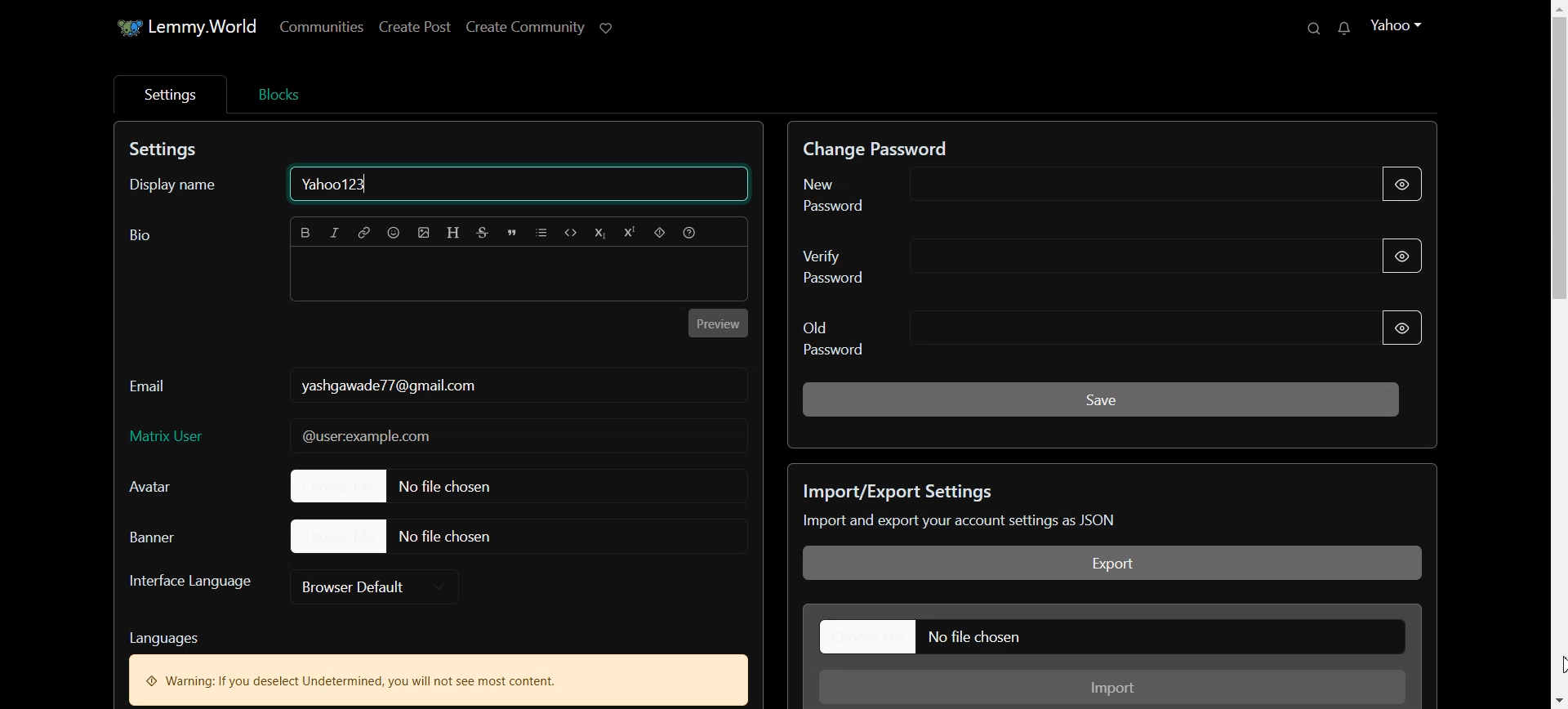 The width and height of the screenshot is (1568, 709). What do you see at coordinates (628, 234) in the screenshot?
I see `Superscript` at bounding box center [628, 234].